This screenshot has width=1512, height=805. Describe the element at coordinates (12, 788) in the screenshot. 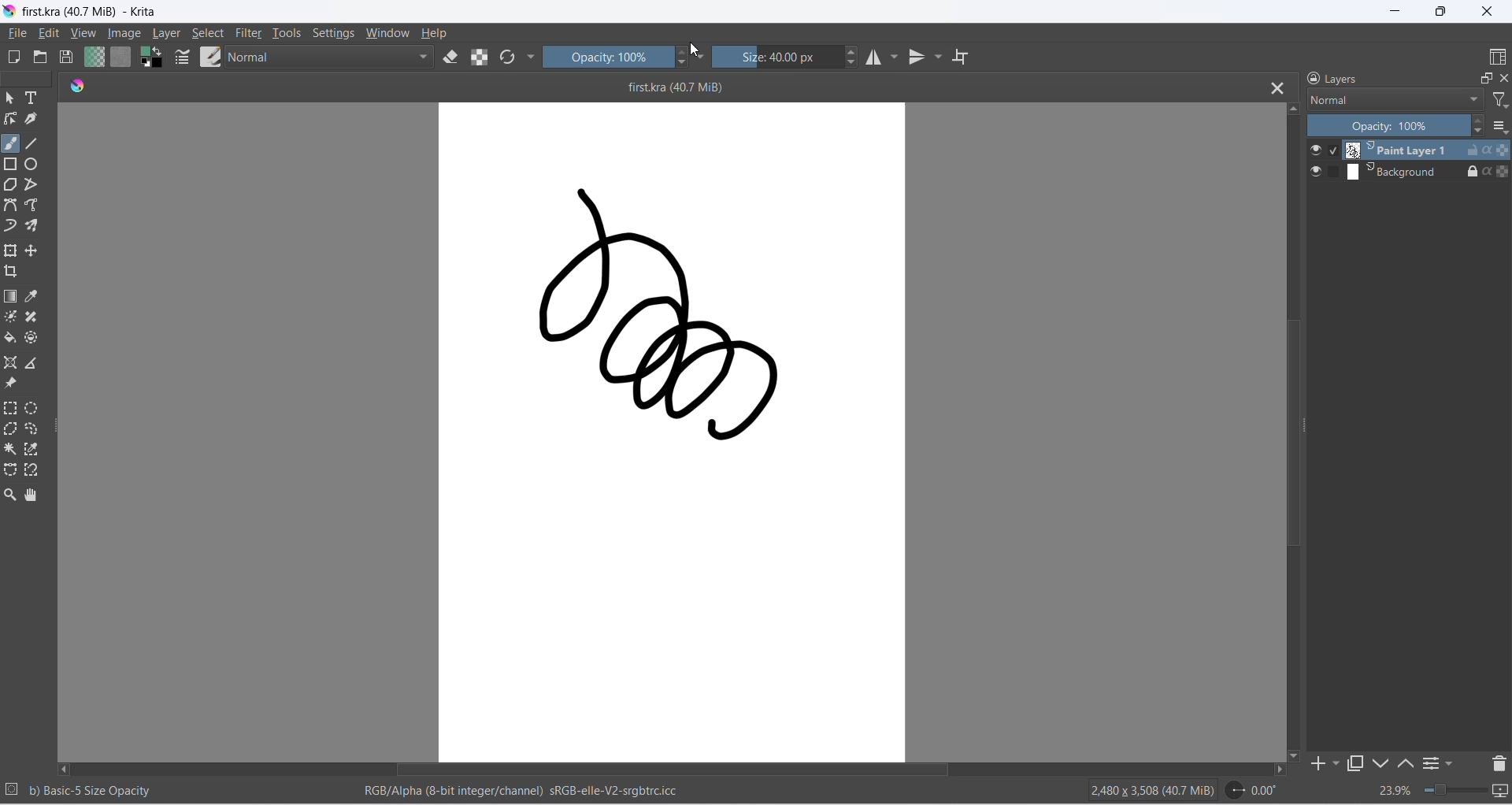

I see `selection` at that location.